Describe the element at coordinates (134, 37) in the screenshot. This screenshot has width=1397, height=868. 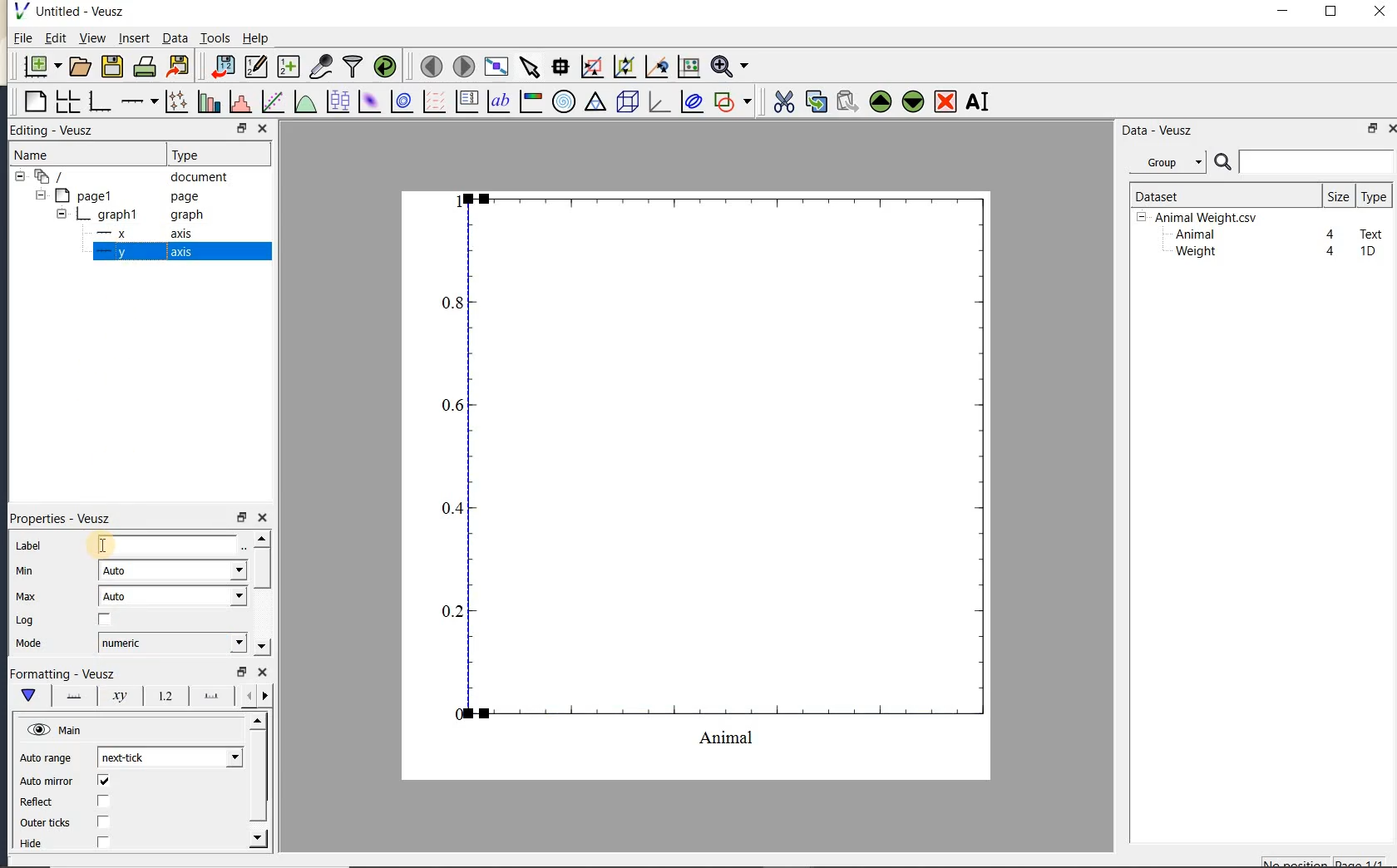
I see `insert` at that location.